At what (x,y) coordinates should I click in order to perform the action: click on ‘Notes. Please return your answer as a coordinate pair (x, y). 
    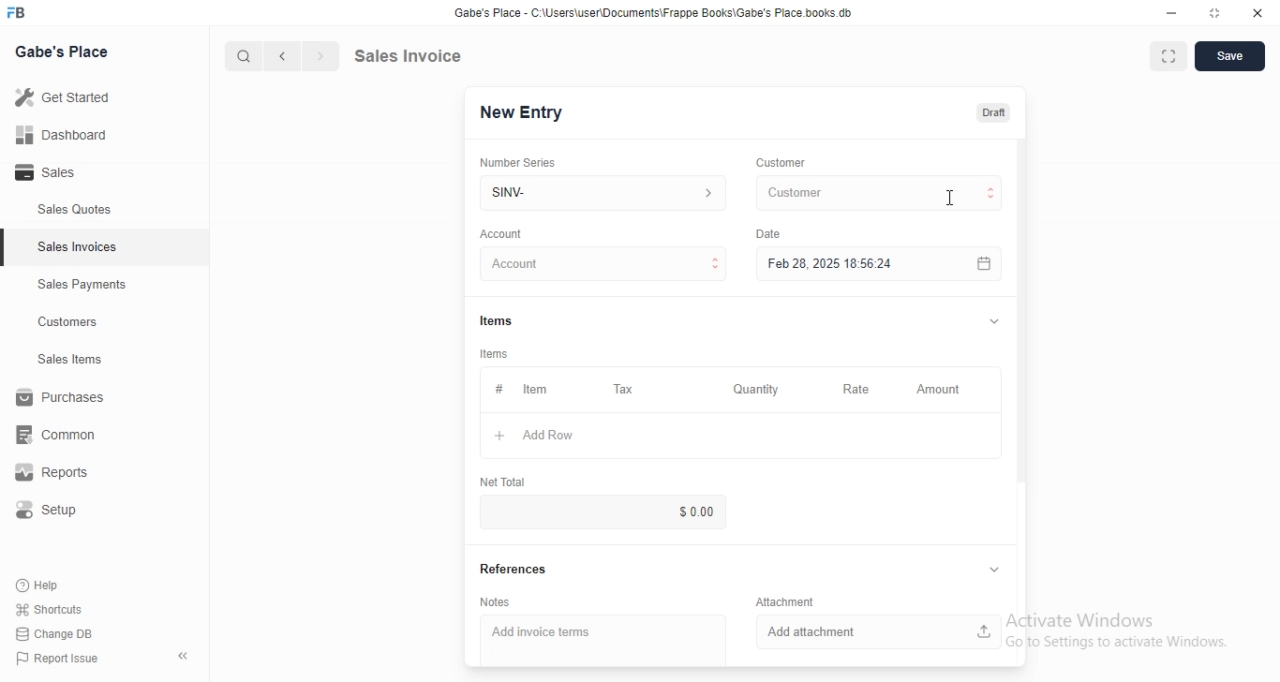
    Looking at the image, I should click on (494, 603).